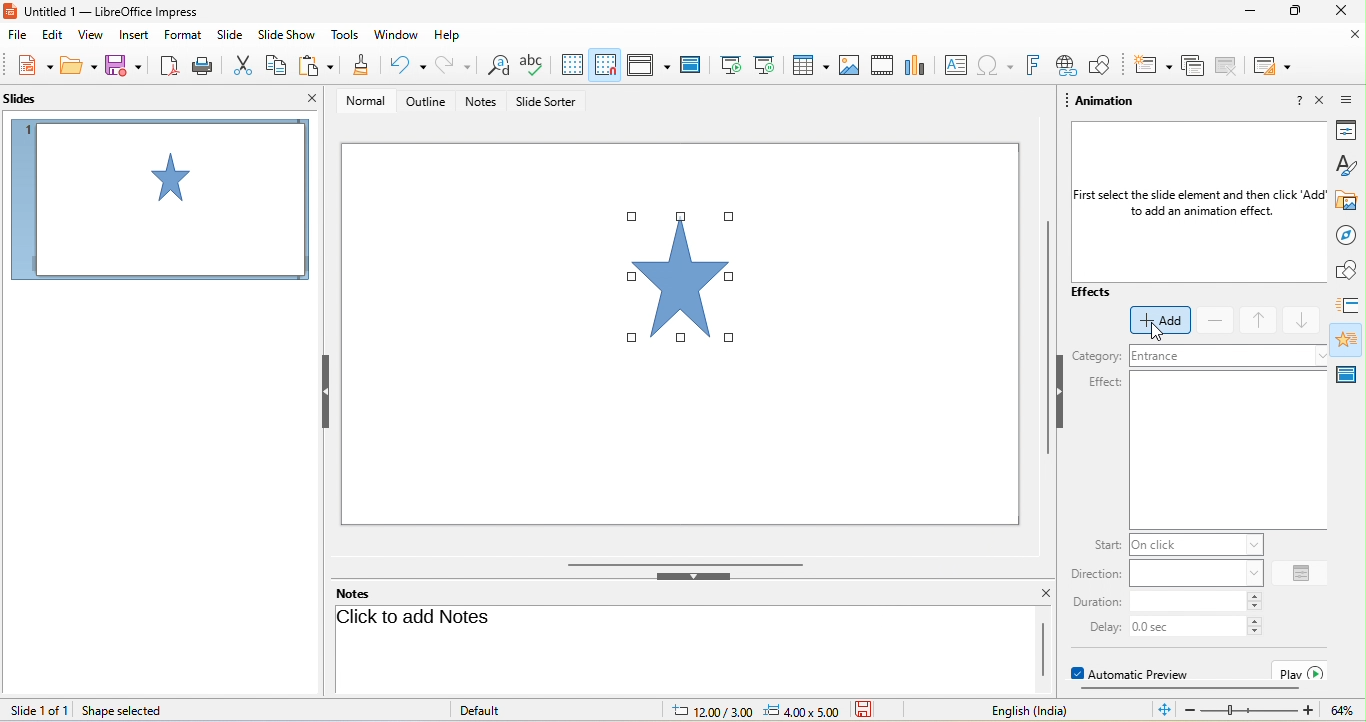 Image resolution: width=1366 pixels, height=722 pixels. What do you see at coordinates (1302, 671) in the screenshot?
I see `play` at bounding box center [1302, 671].